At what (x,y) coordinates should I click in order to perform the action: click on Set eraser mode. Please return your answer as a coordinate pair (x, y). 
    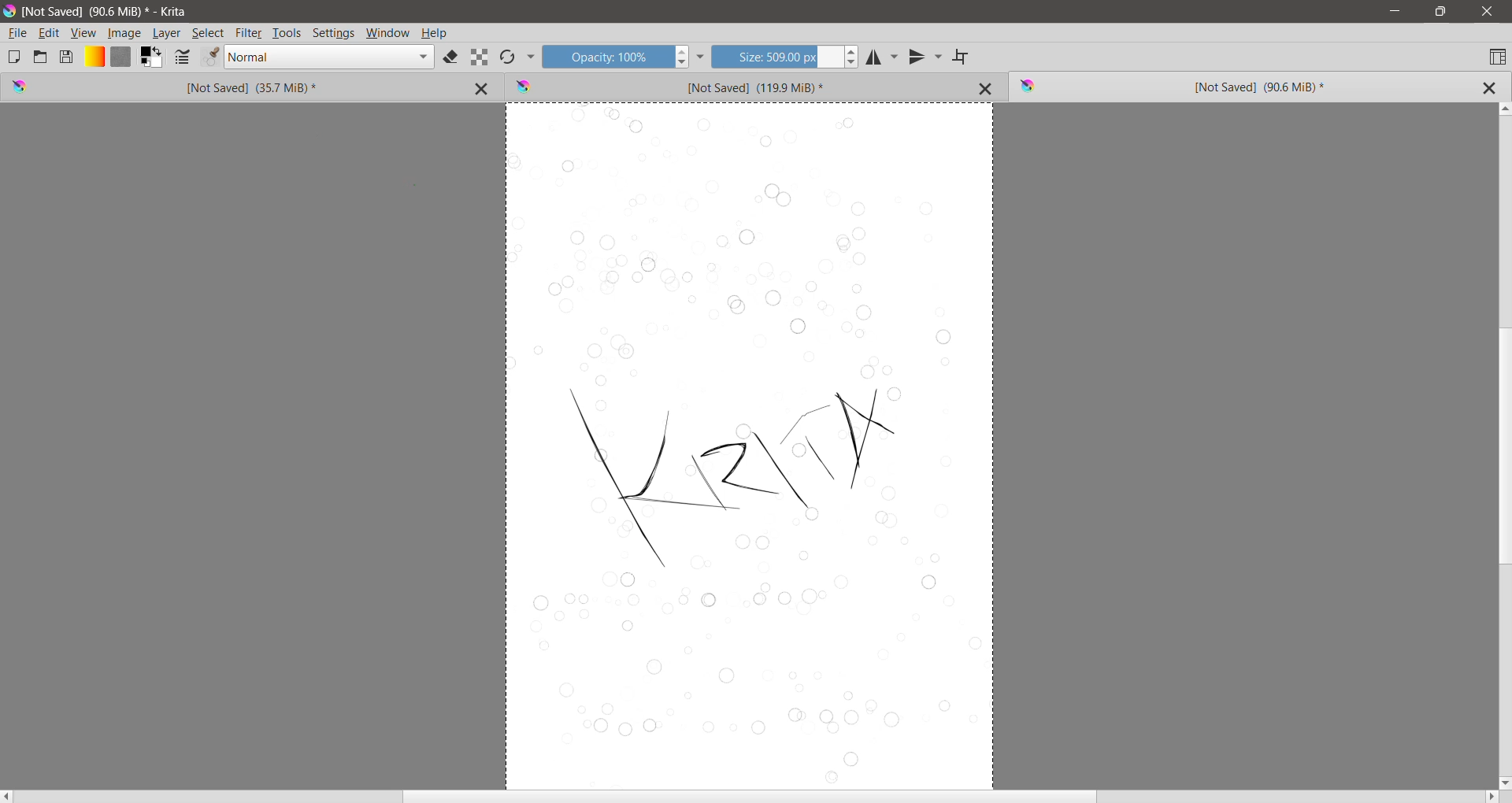
    Looking at the image, I should click on (452, 58).